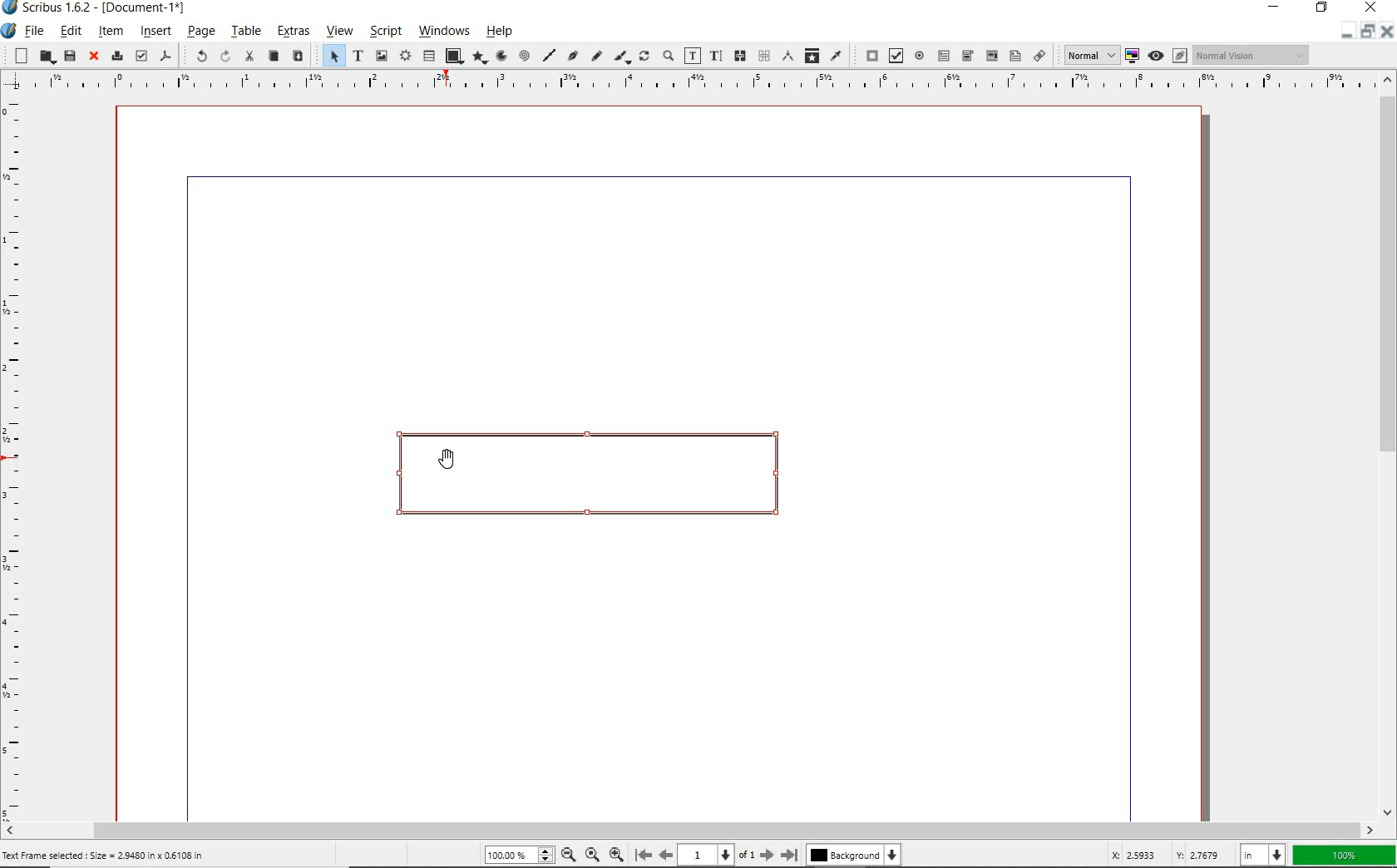 Image resolution: width=1397 pixels, height=868 pixels. Describe the element at coordinates (644, 57) in the screenshot. I see `rotate item` at that location.